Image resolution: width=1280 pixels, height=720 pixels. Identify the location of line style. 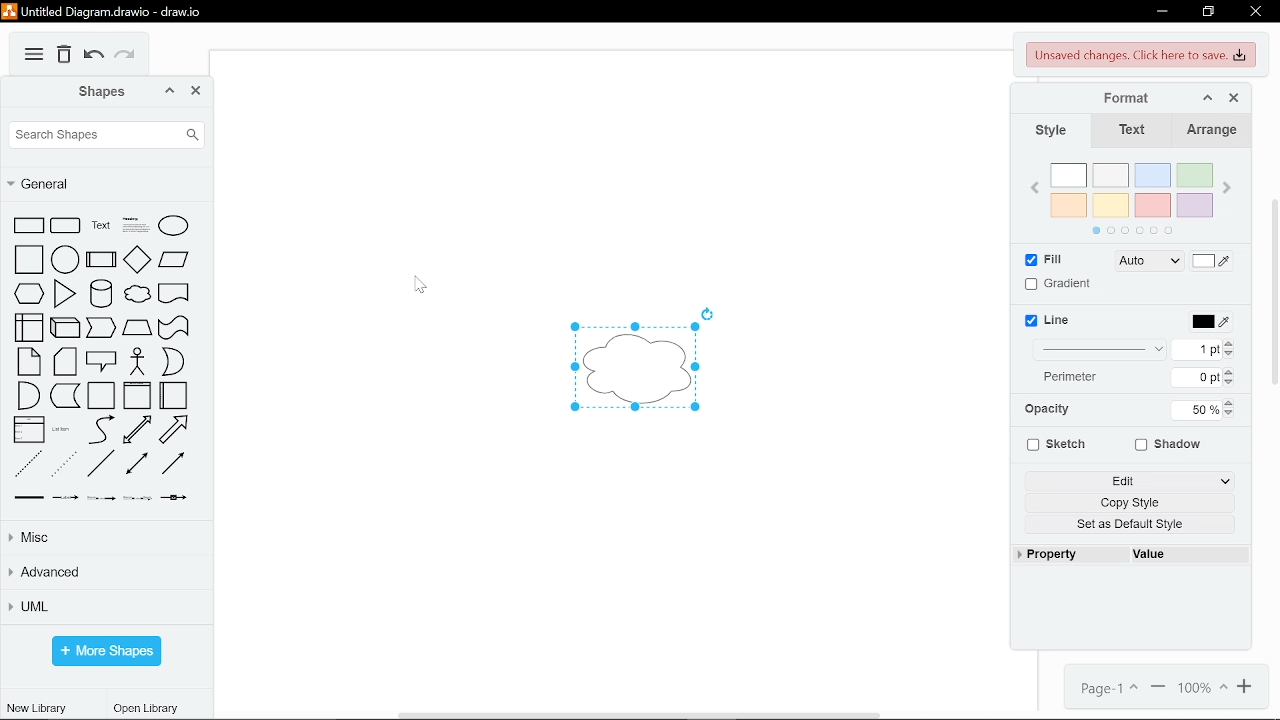
(1102, 350).